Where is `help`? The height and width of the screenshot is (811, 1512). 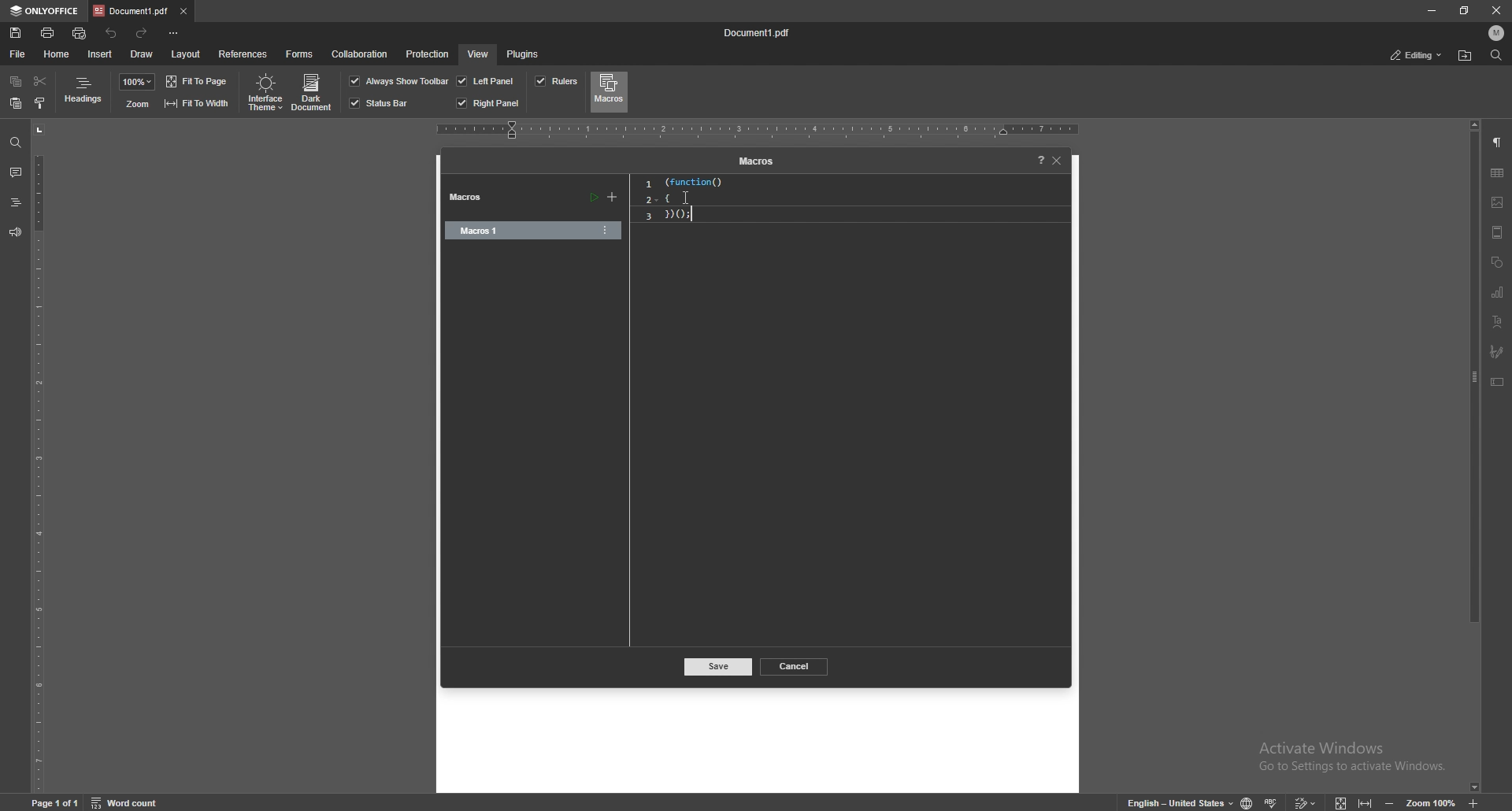 help is located at coordinates (1036, 161).